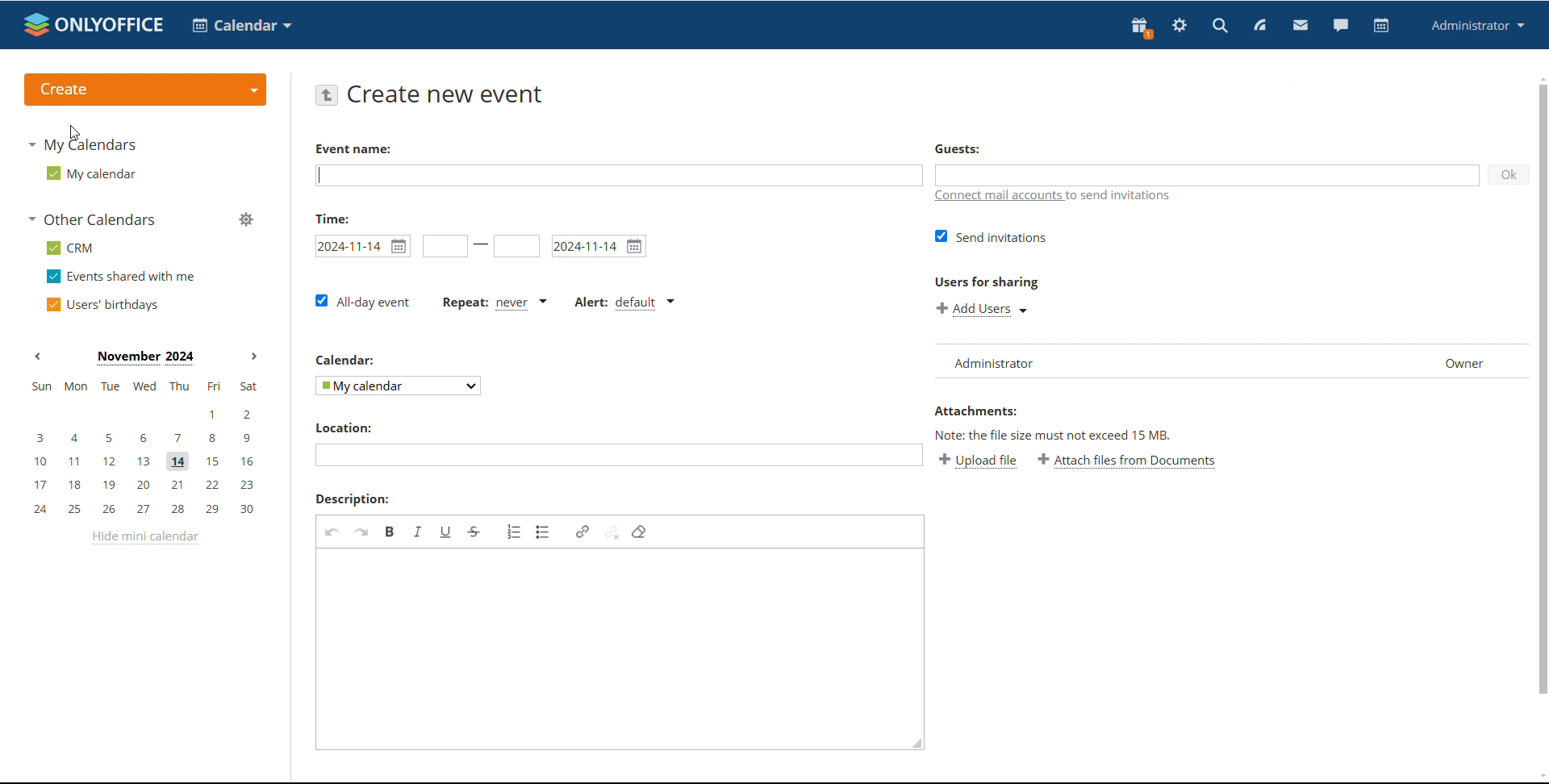 Image resolution: width=1549 pixels, height=784 pixels. Describe the element at coordinates (242, 25) in the screenshot. I see `calendar` at that location.